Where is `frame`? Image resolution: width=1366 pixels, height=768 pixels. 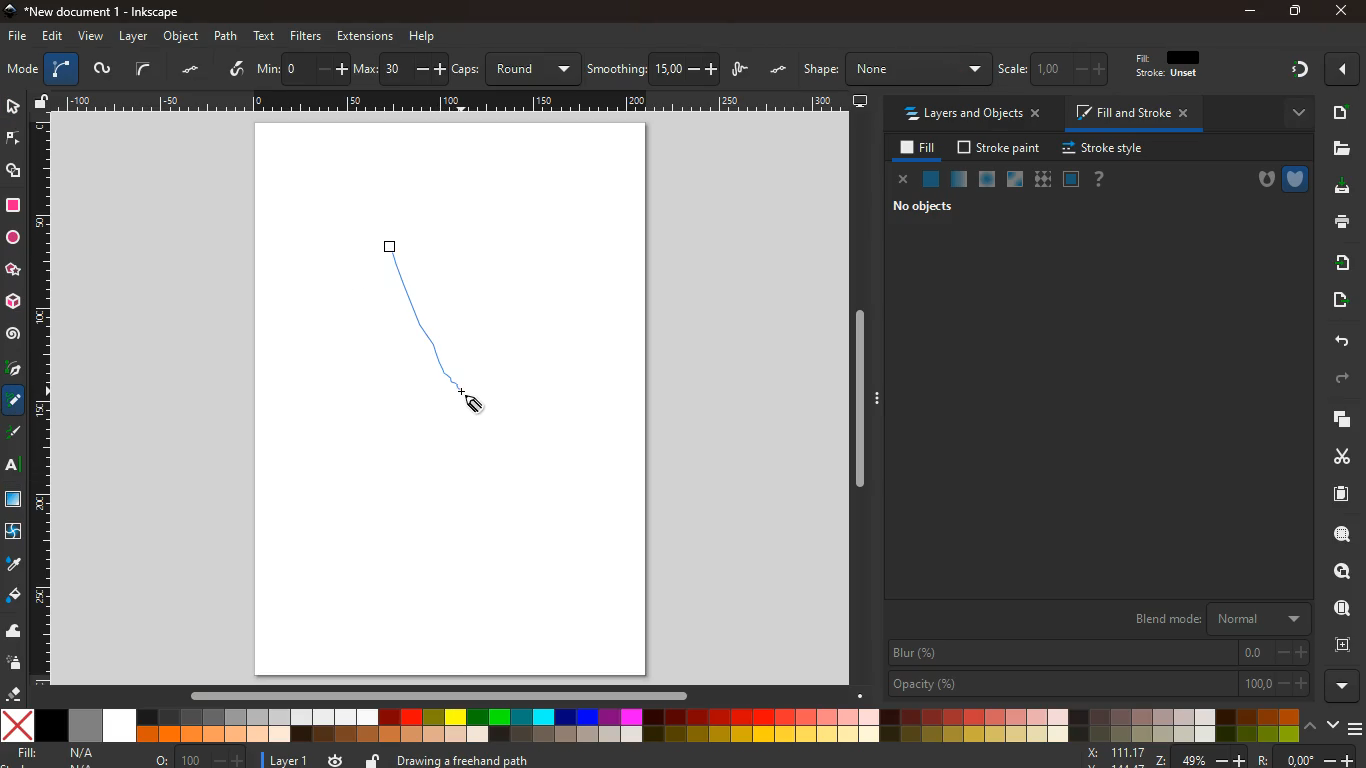 frame is located at coordinates (1344, 572).